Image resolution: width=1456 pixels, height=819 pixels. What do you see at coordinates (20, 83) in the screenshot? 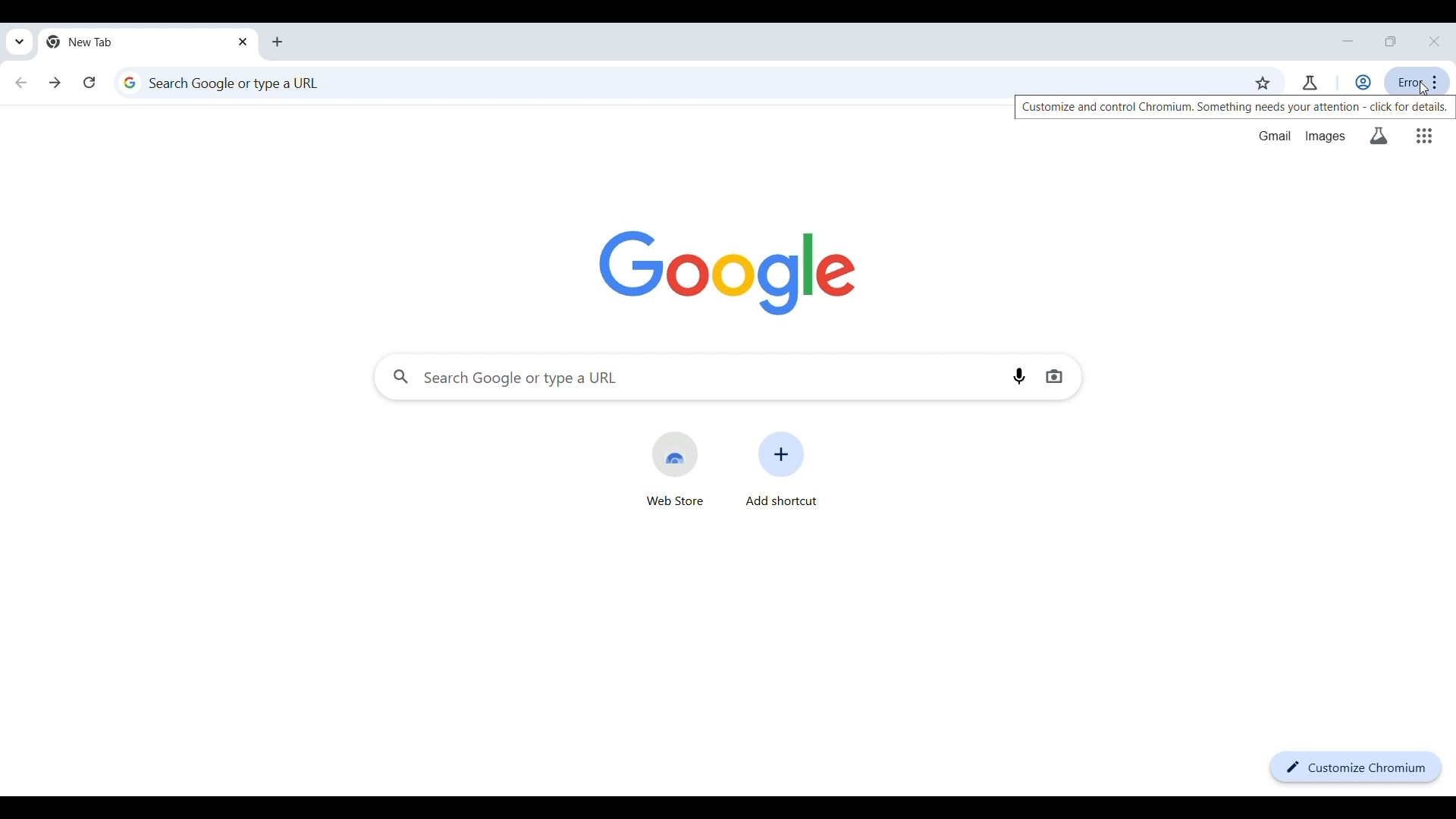
I see `Go backward` at bounding box center [20, 83].